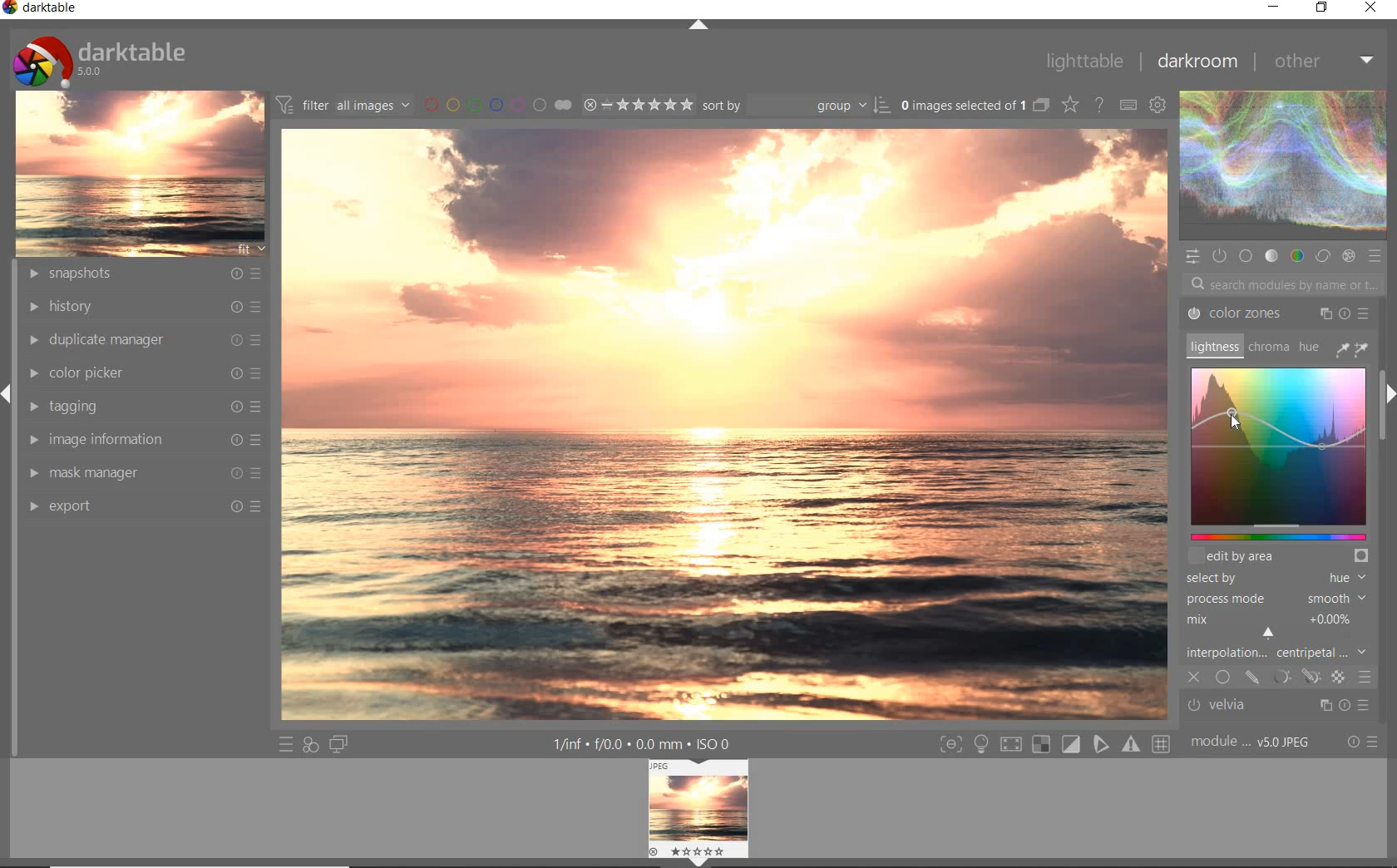 This screenshot has width=1397, height=868. Describe the element at coordinates (1378, 260) in the screenshot. I see `PRESET` at that location.